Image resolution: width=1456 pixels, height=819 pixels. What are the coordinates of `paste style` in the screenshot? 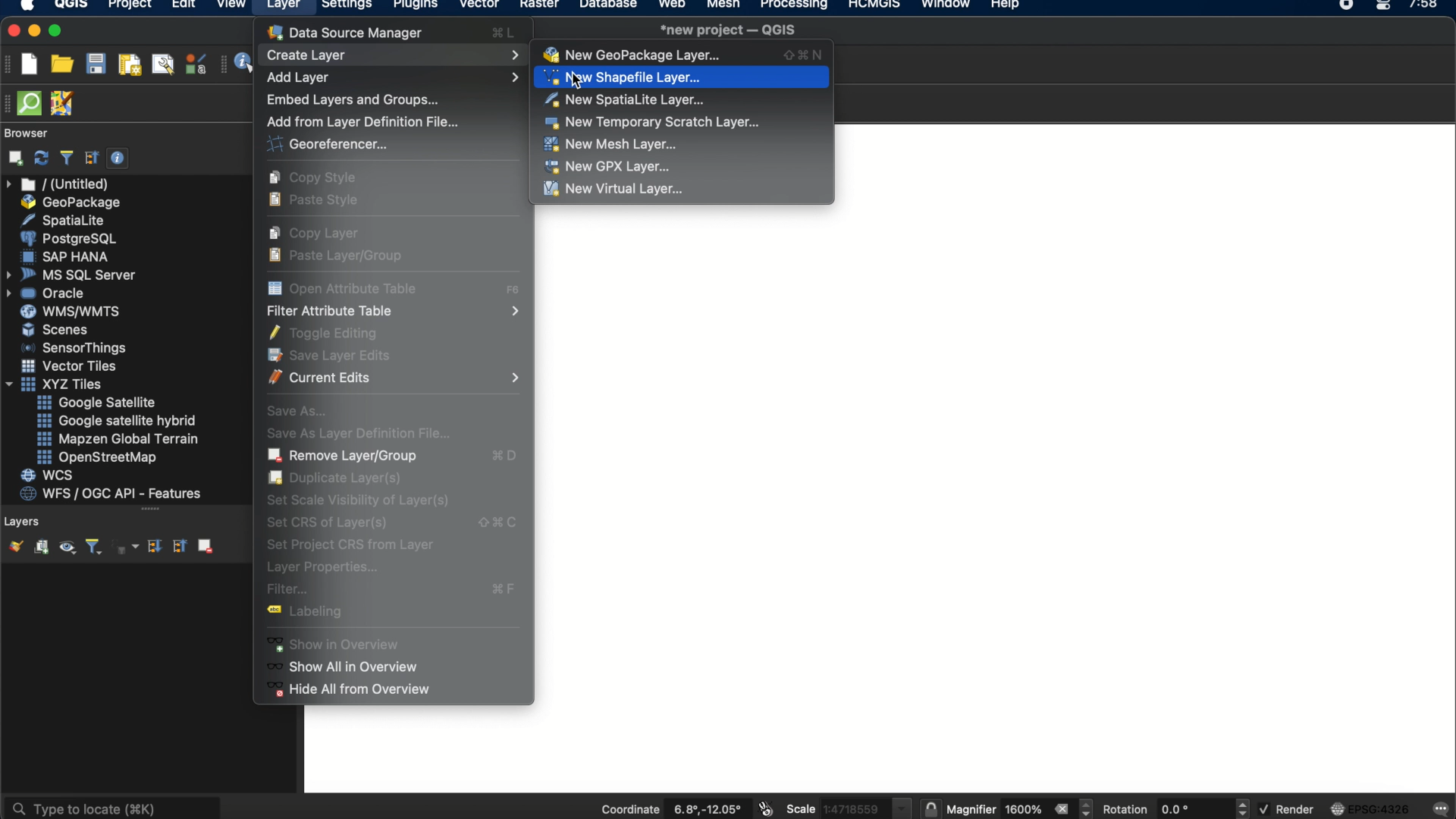 It's located at (315, 199).